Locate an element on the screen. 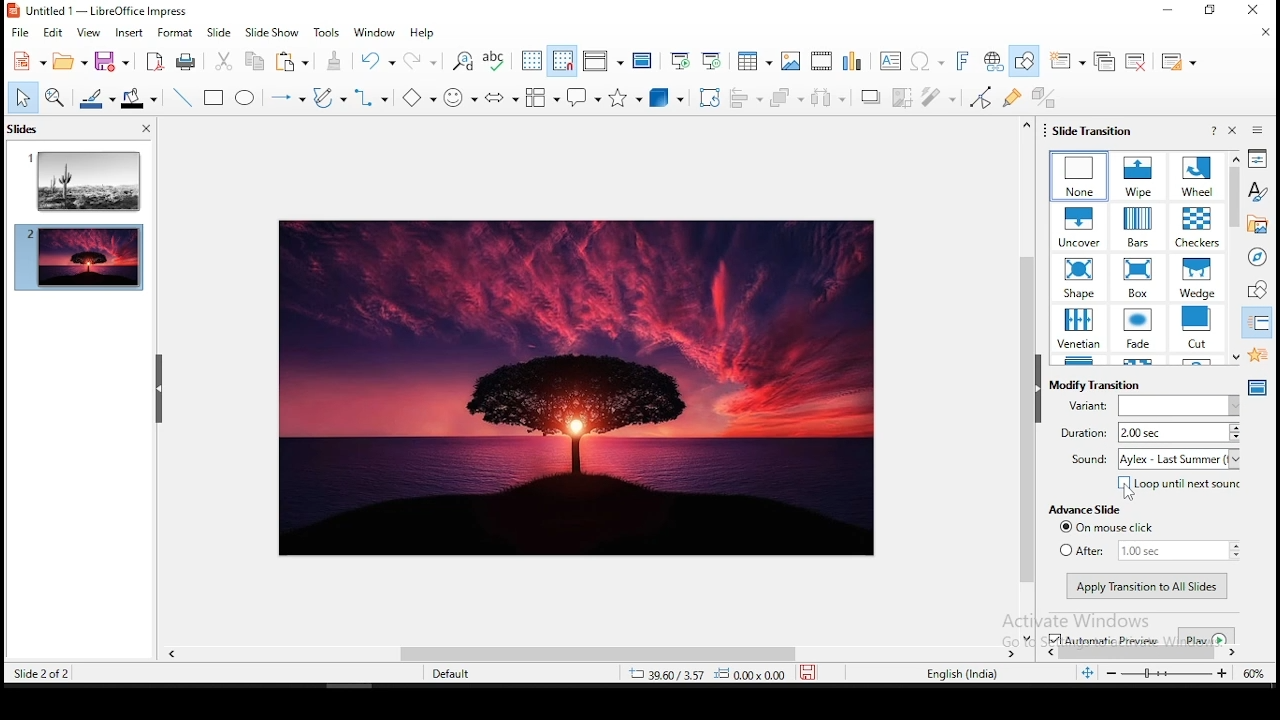 The height and width of the screenshot is (720, 1280). transition effects is located at coordinates (1138, 176).